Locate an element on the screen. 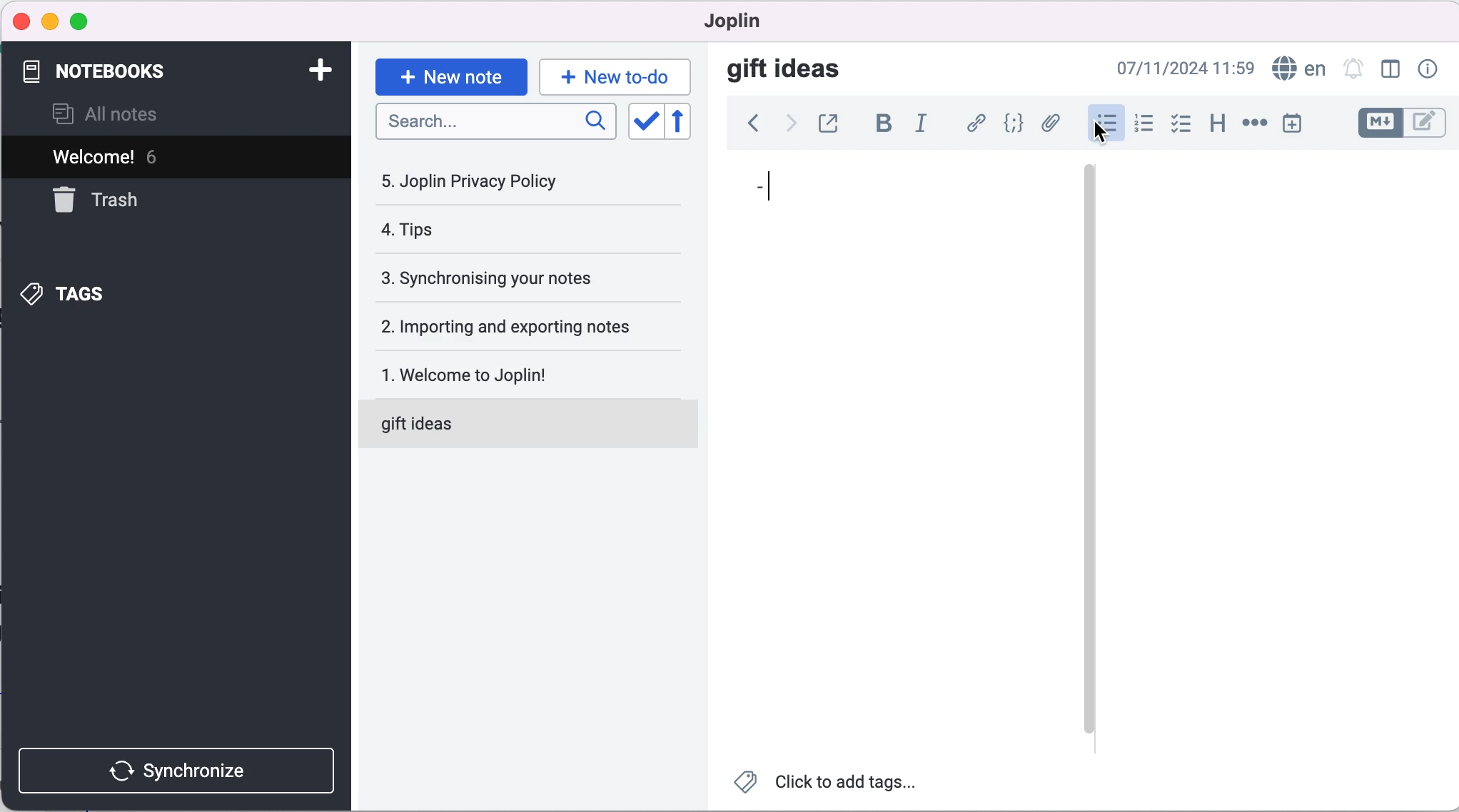 The image size is (1459, 812). code is located at coordinates (1014, 123).